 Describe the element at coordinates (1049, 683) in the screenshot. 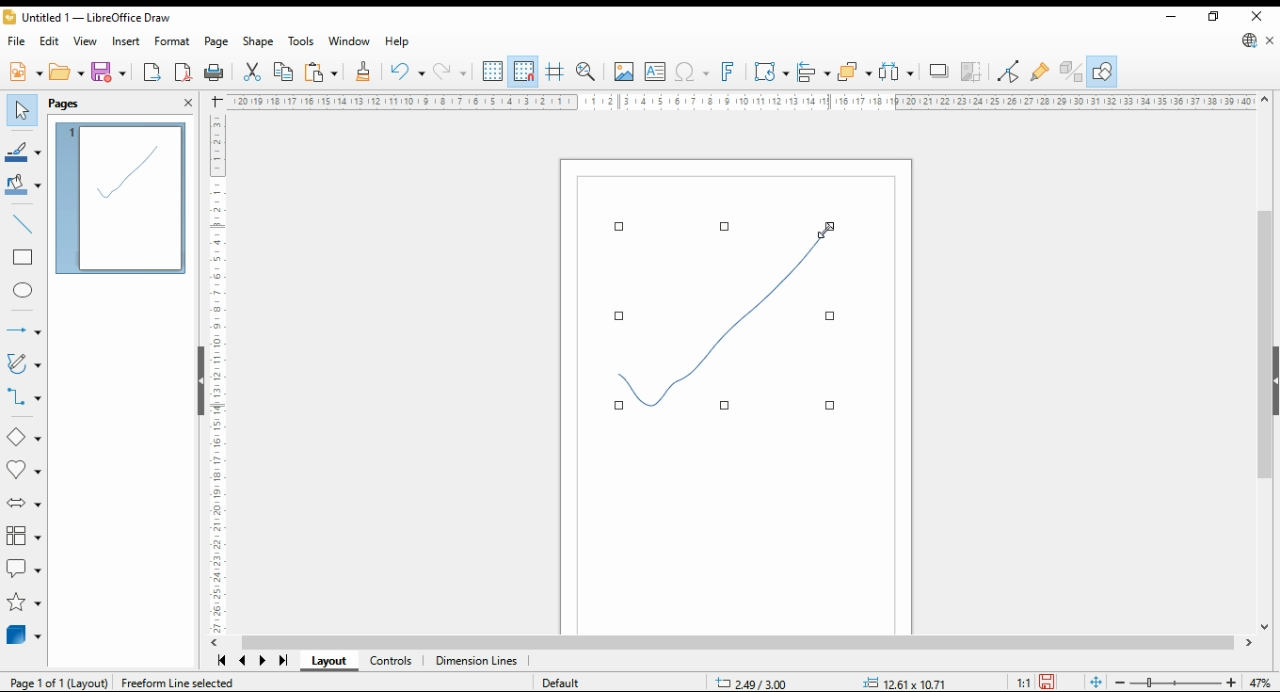

I see `save` at that location.